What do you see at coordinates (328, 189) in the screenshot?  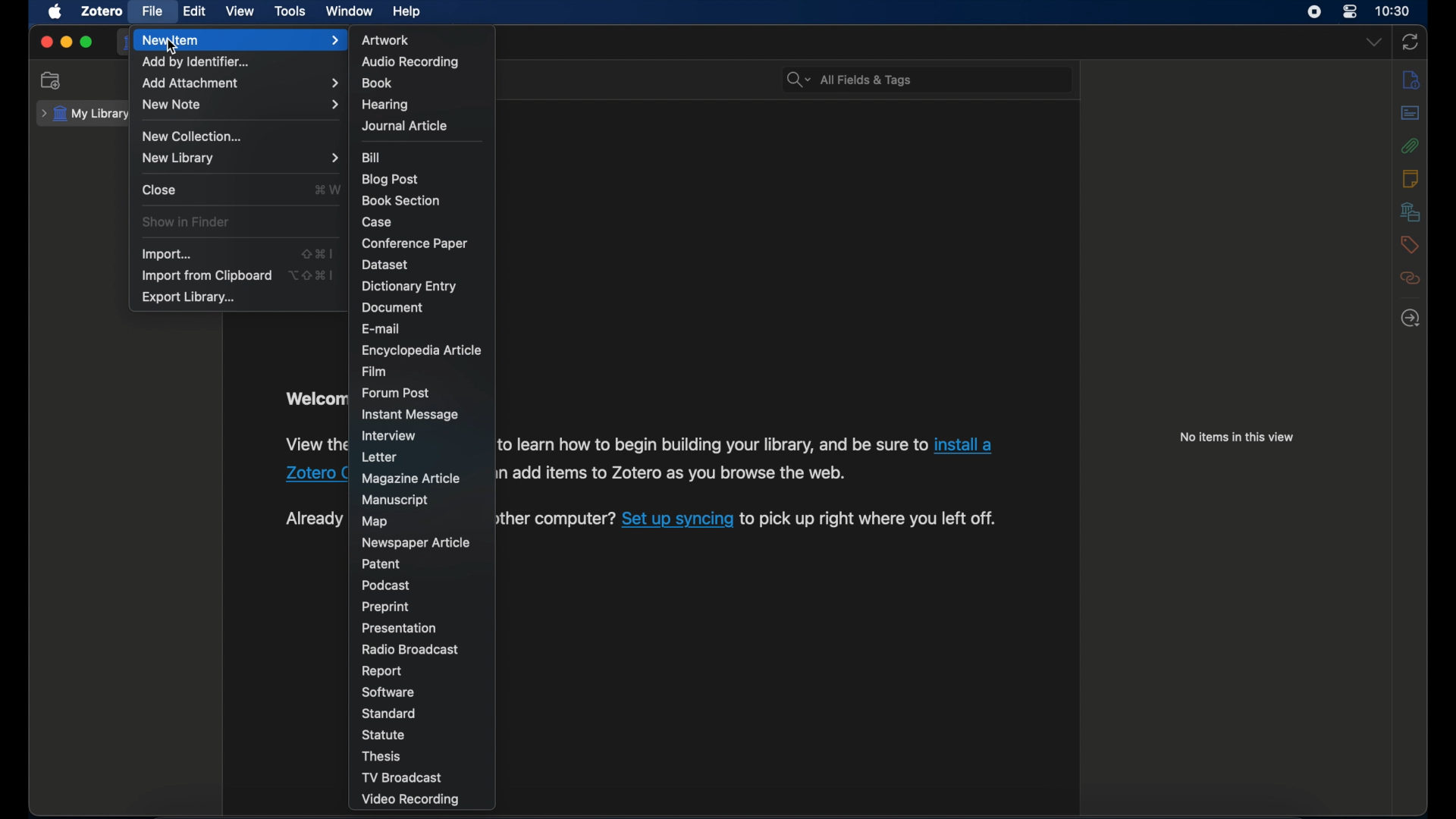 I see `shortcut` at bounding box center [328, 189].